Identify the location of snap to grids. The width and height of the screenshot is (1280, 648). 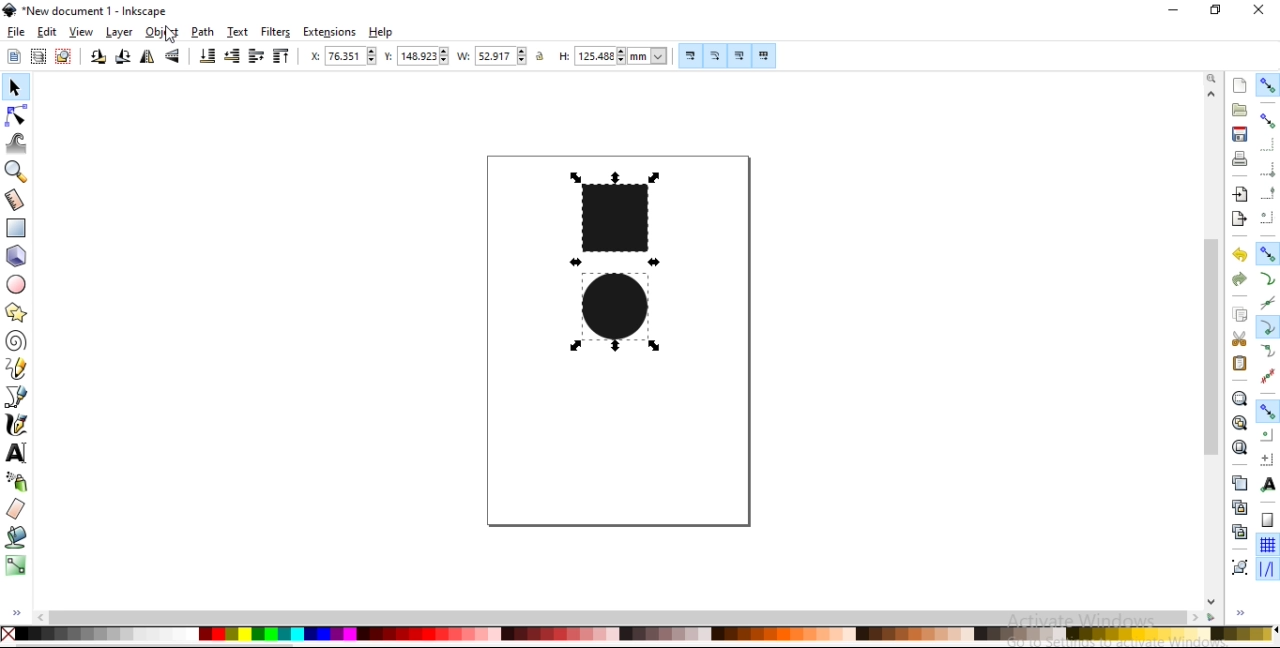
(1267, 544).